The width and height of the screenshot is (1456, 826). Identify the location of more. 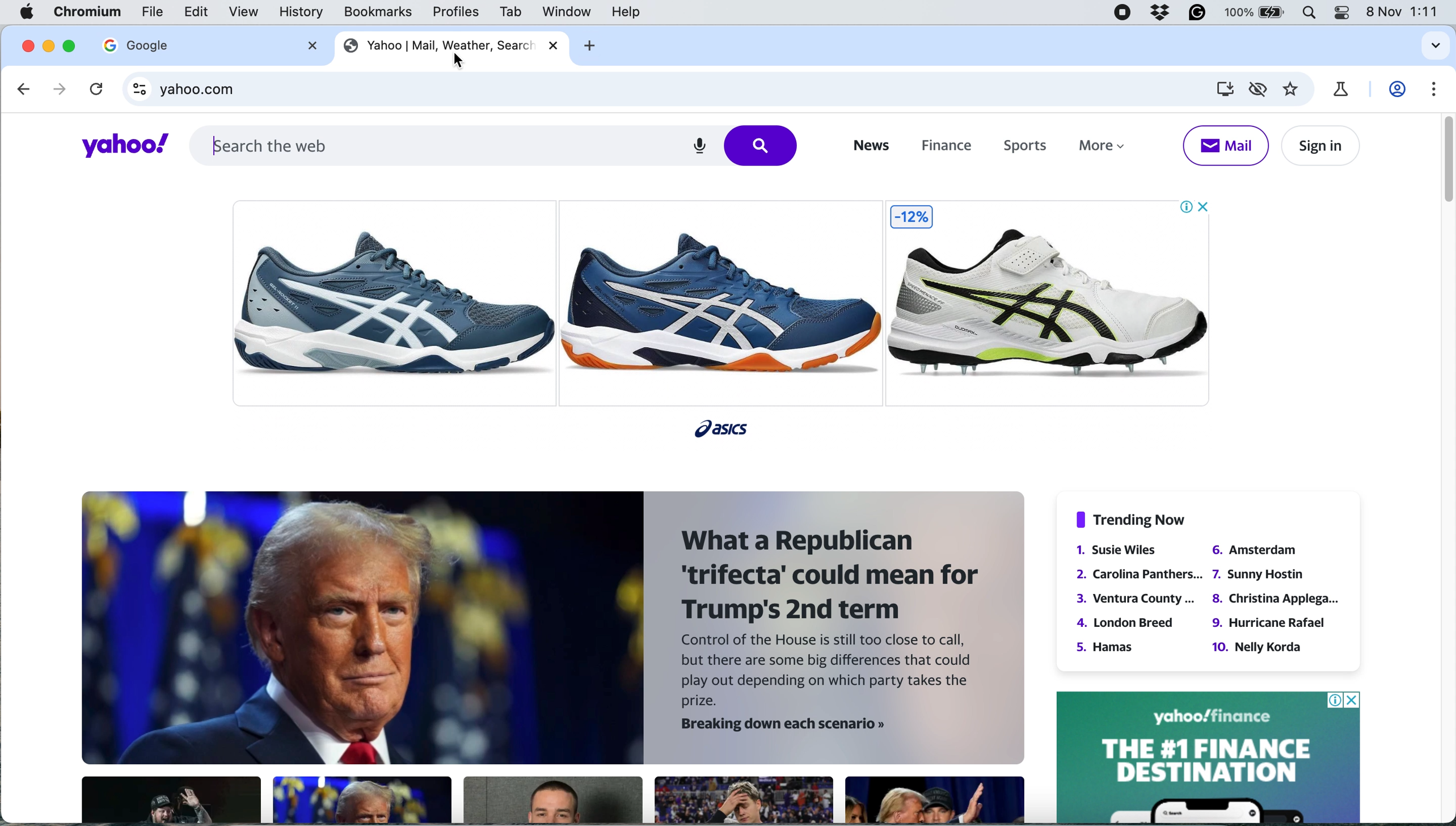
(1107, 149).